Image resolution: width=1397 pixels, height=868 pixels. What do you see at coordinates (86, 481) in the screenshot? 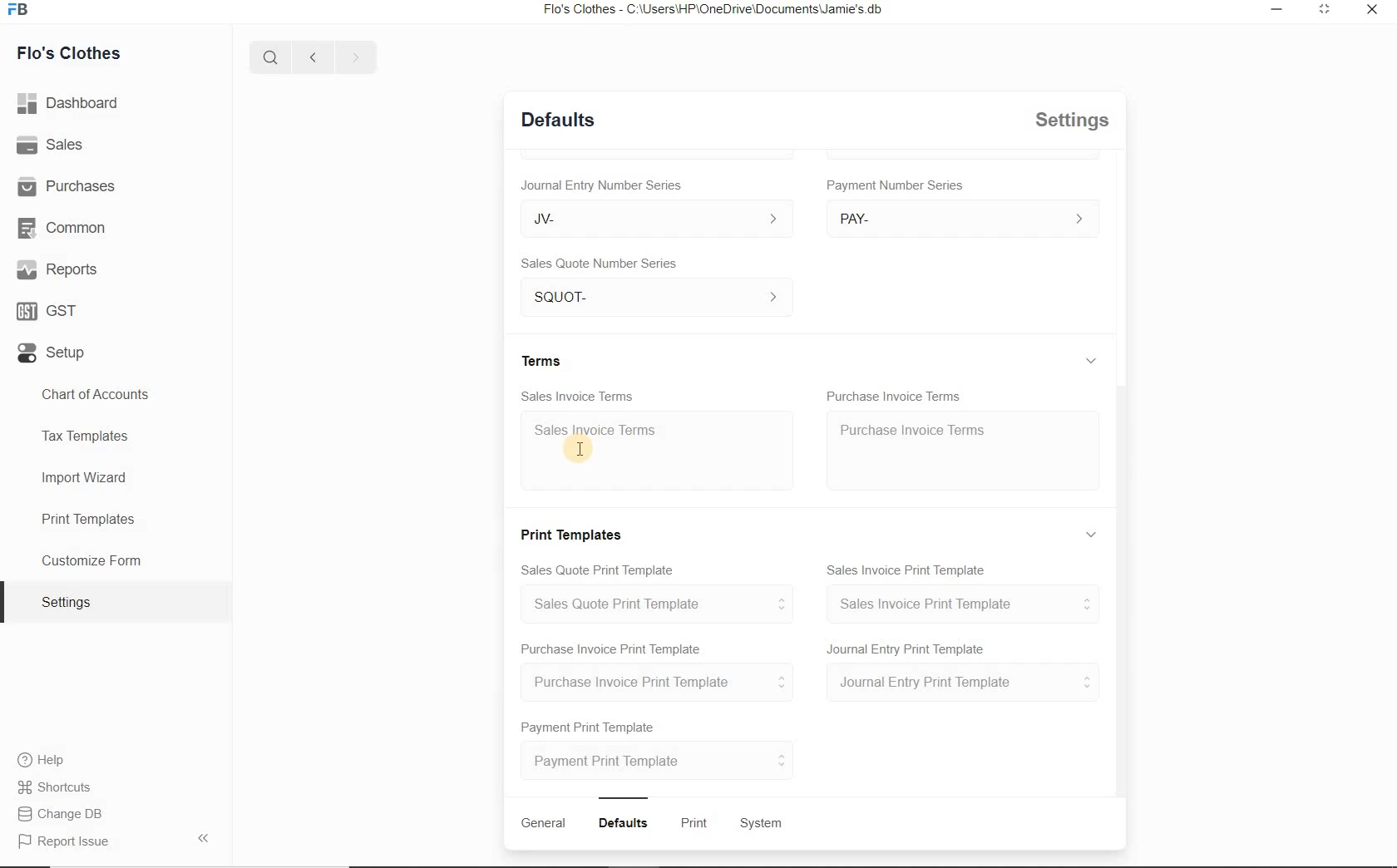
I see `Import Wizard` at bounding box center [86, 481].